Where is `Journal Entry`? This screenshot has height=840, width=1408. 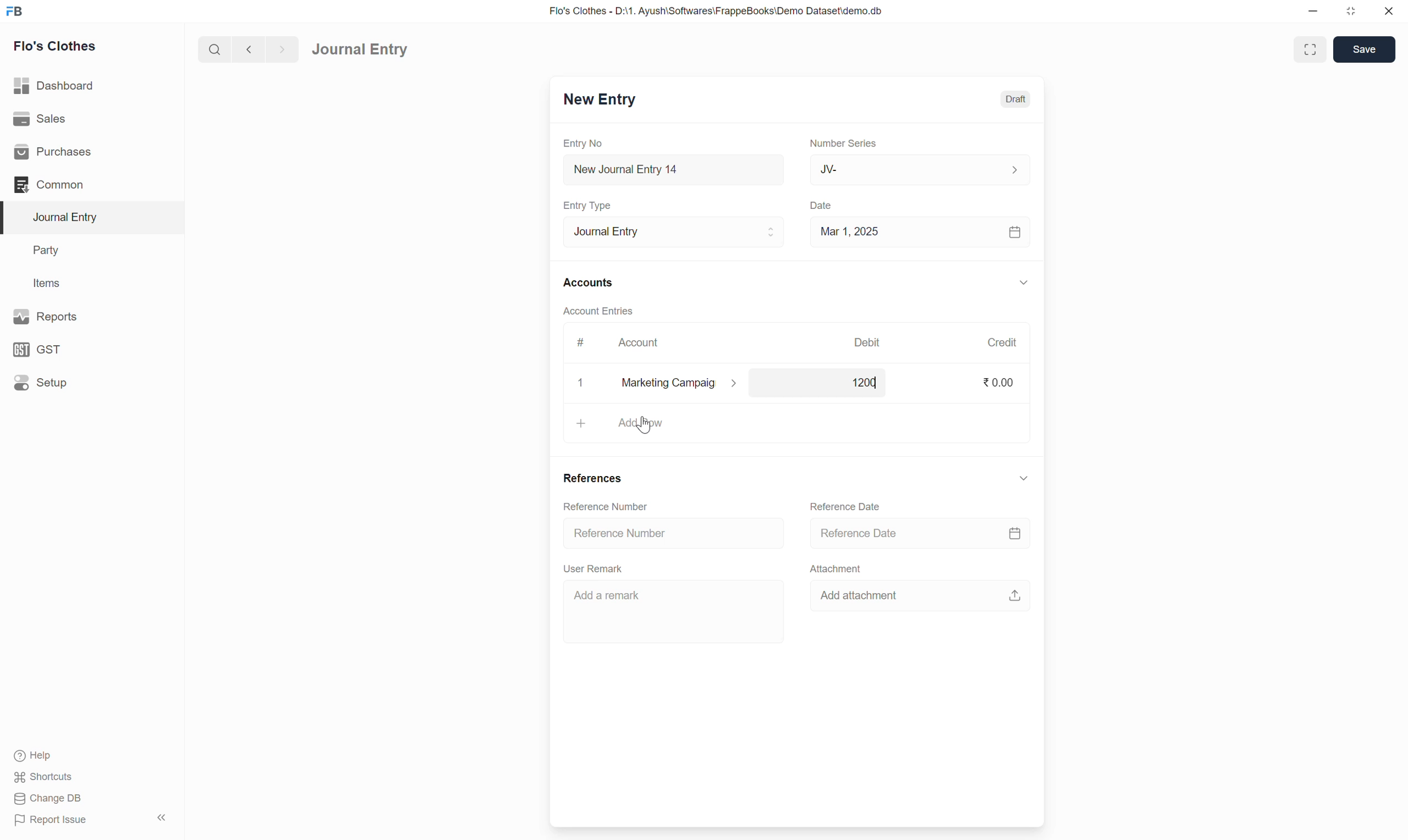
Journal Entry is located at coordinates (674, 231).